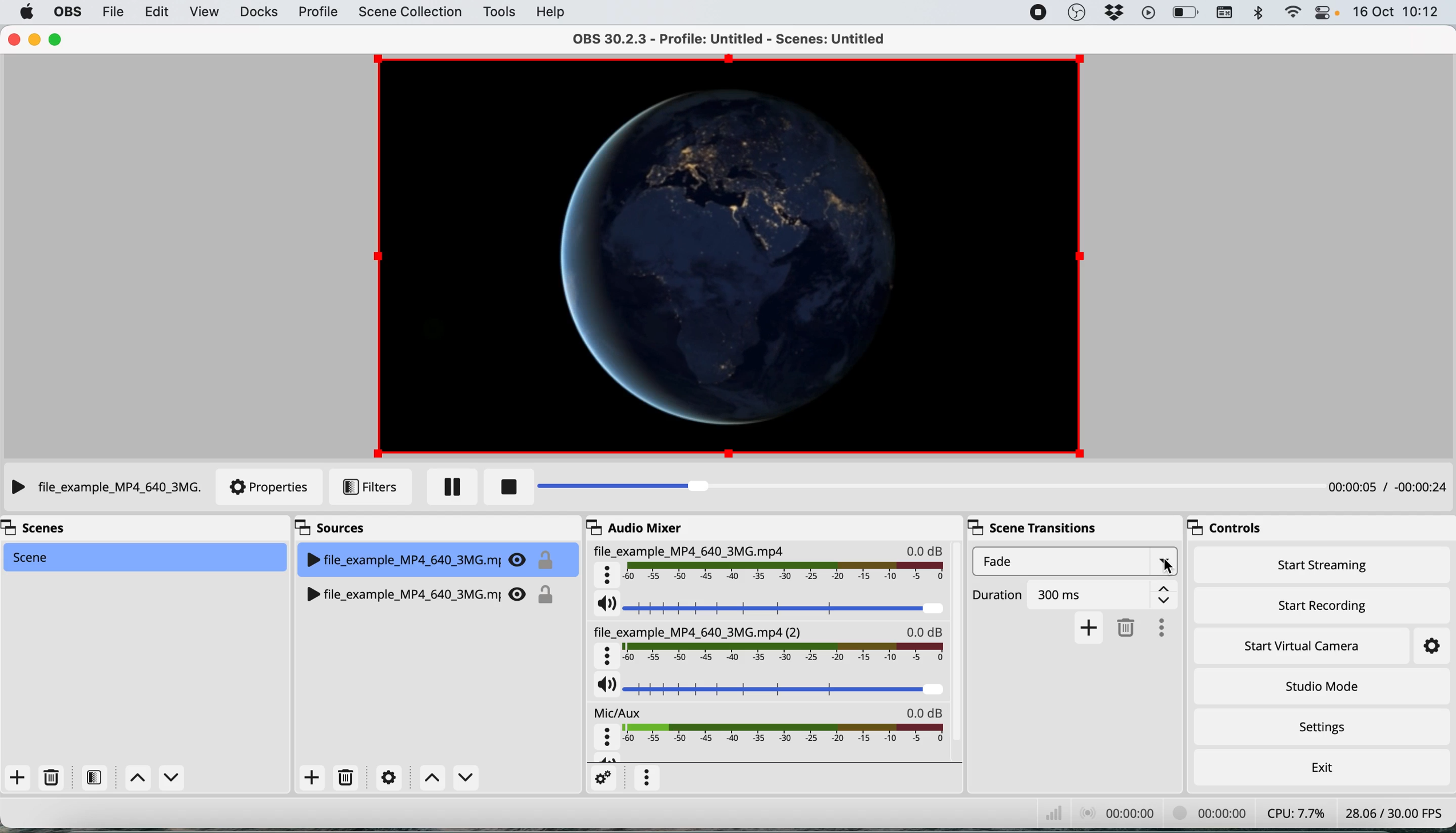  I want to click on system logo, so click(29, 12).